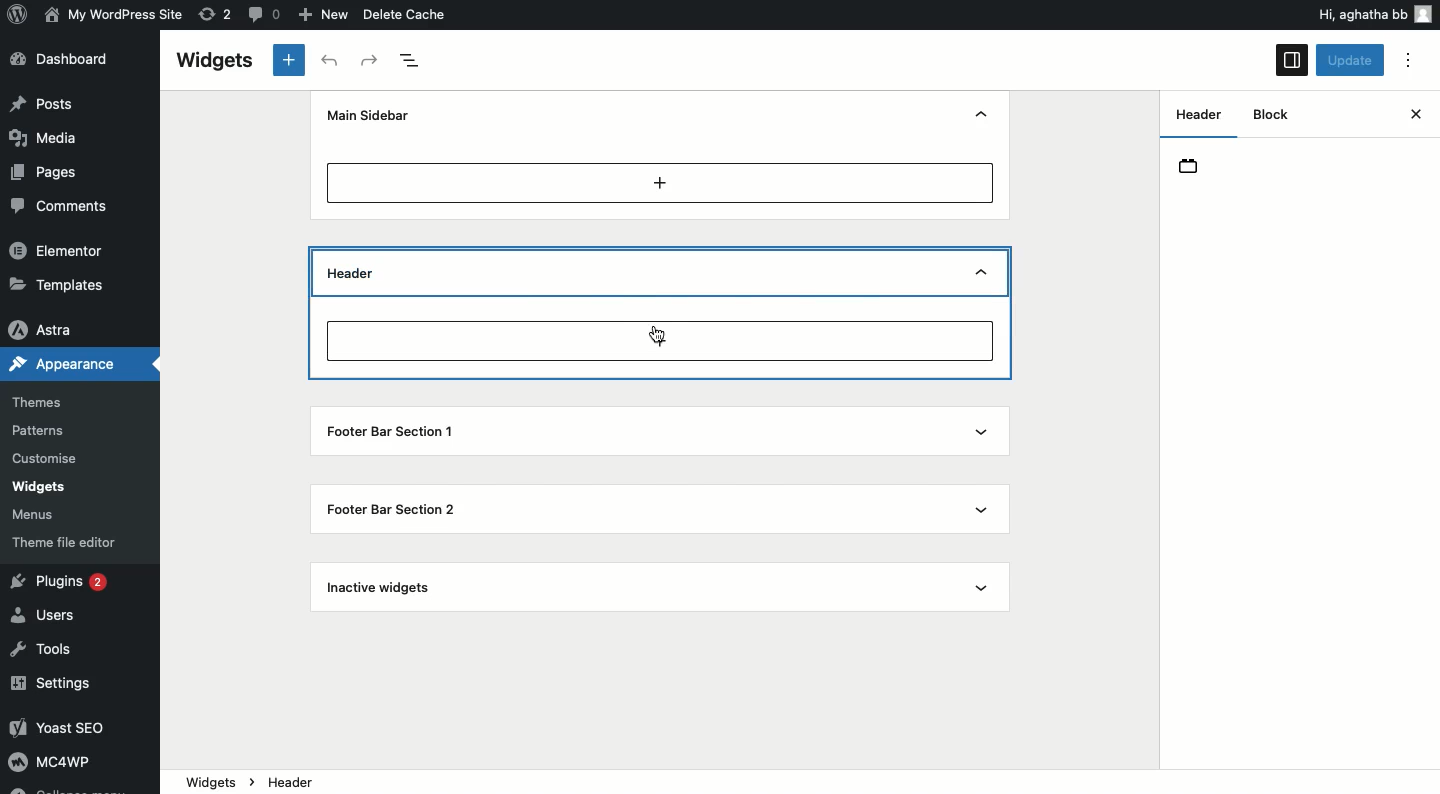  I want to click on MC4WP, so click(48, 760).